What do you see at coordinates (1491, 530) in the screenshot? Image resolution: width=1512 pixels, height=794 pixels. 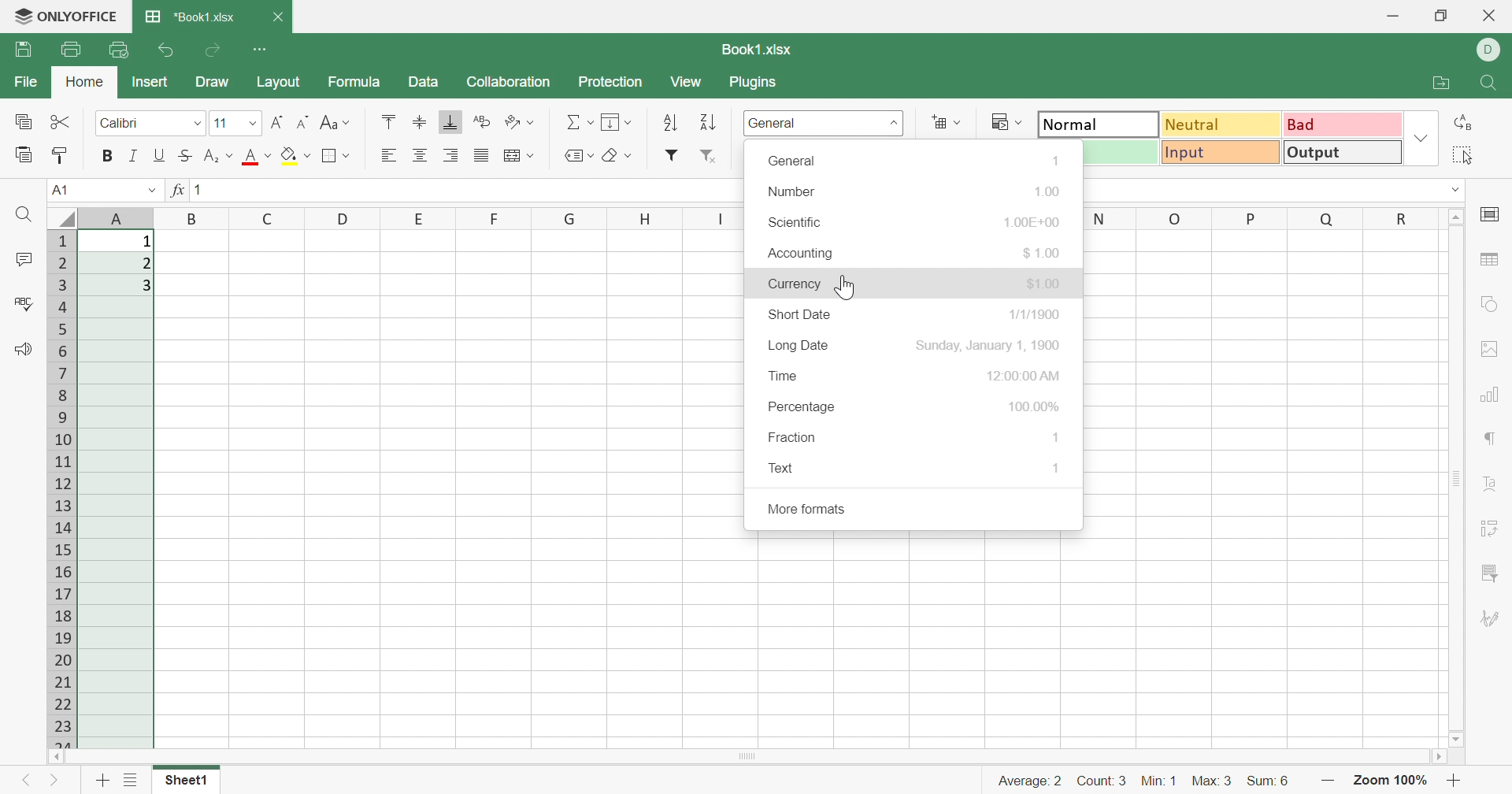 I see `Pivot table settings` at bounding box center [1491, 530].